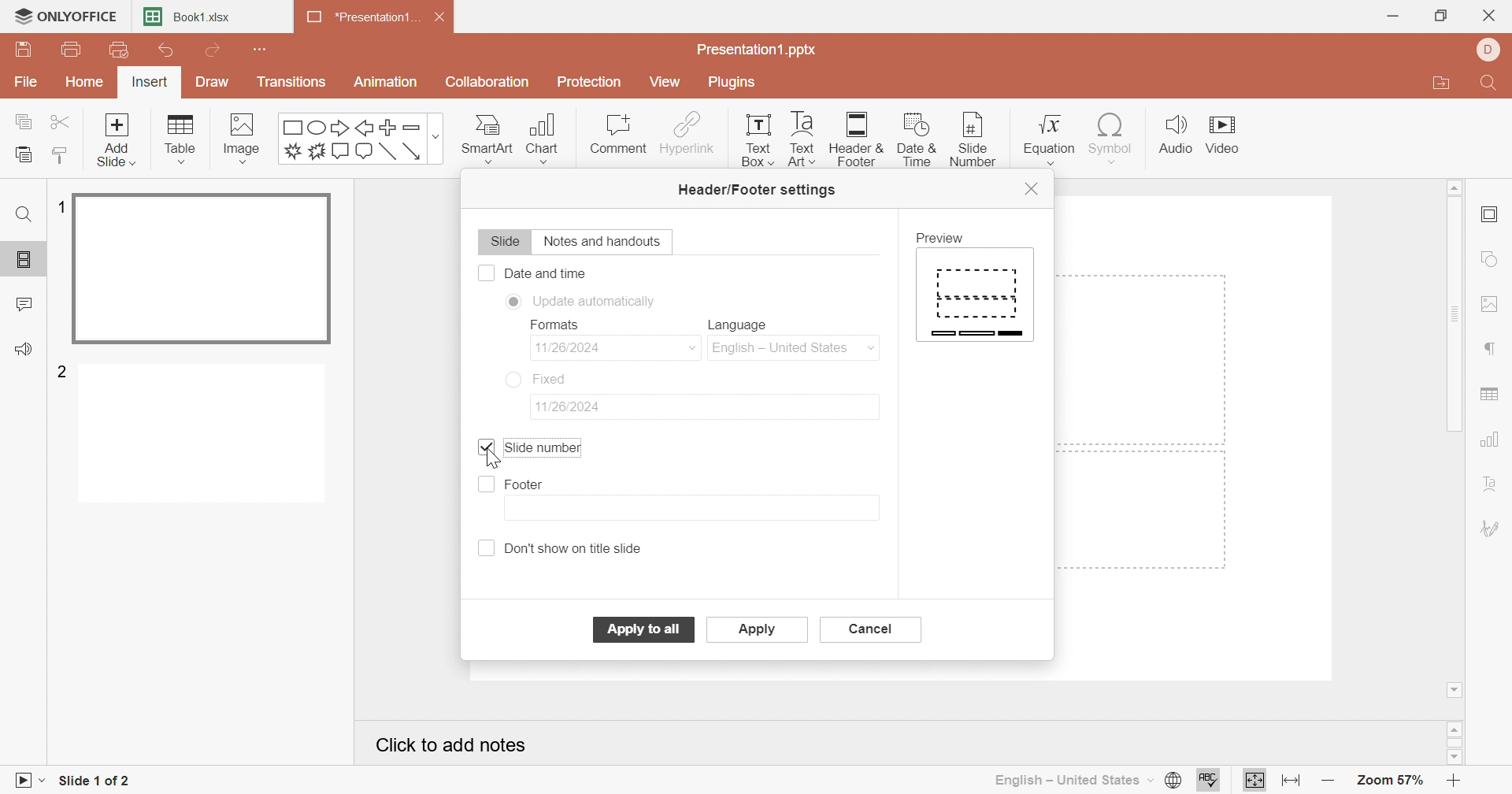  I want to click on File, so click(27, 83).